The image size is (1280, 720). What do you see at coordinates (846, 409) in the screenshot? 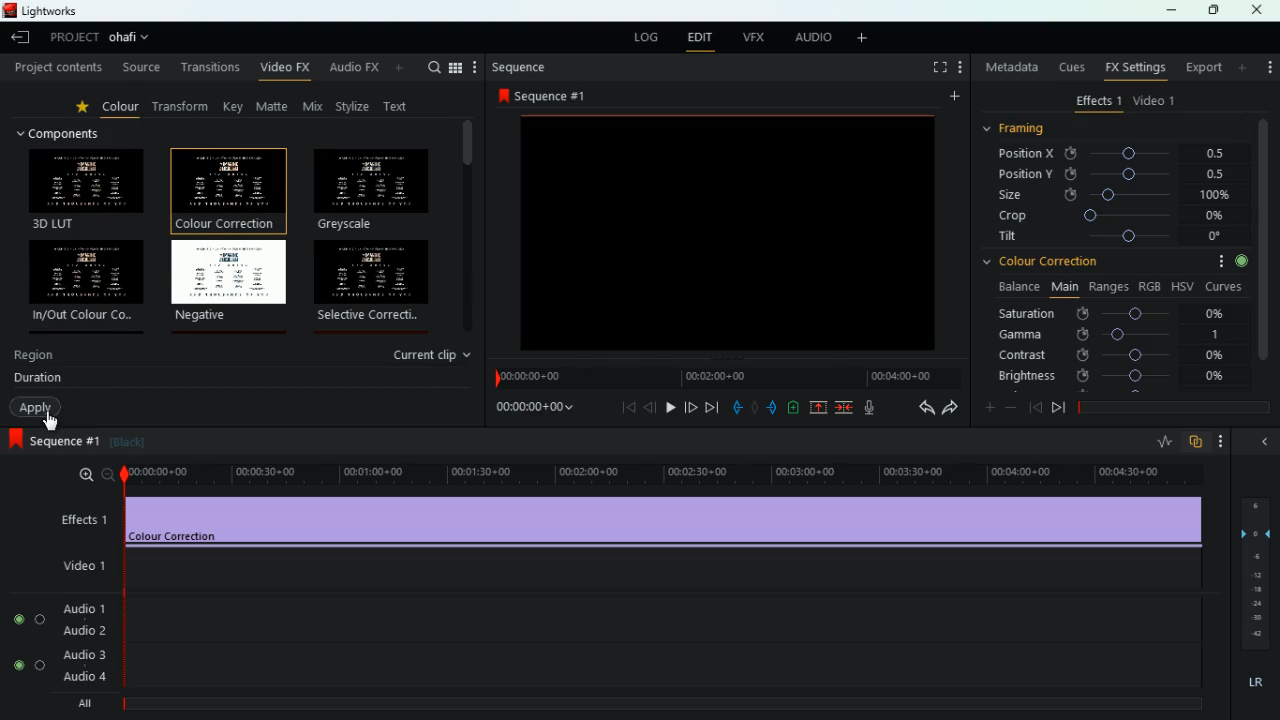
I see `compress` at bounding box center [846, 409].